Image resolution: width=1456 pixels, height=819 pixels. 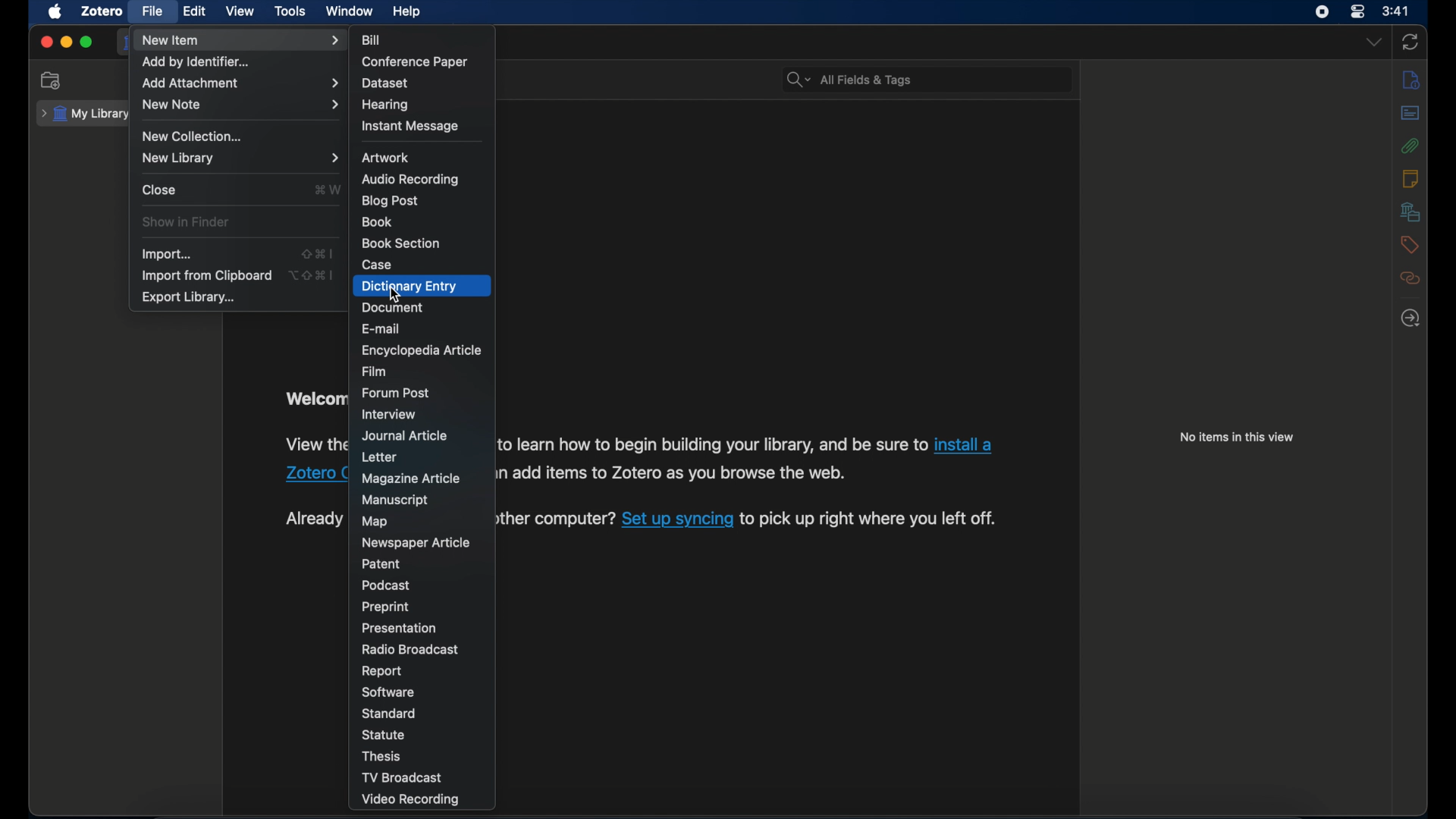 I want to click on dictionary entry, so click(x=409, y=287).